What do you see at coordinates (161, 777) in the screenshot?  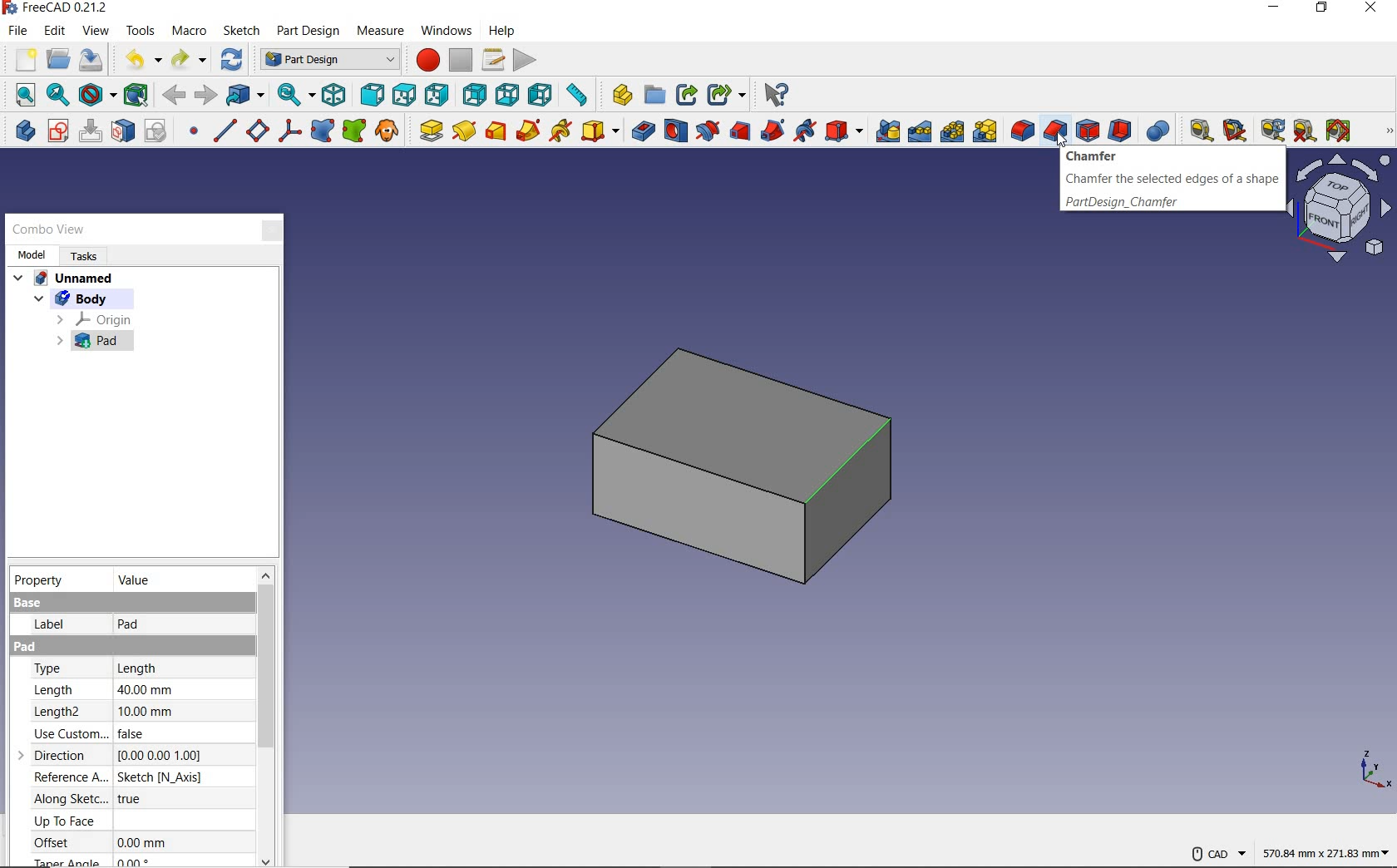 I see `Sketch [N_Axis]` at bounding box center [161, 777].